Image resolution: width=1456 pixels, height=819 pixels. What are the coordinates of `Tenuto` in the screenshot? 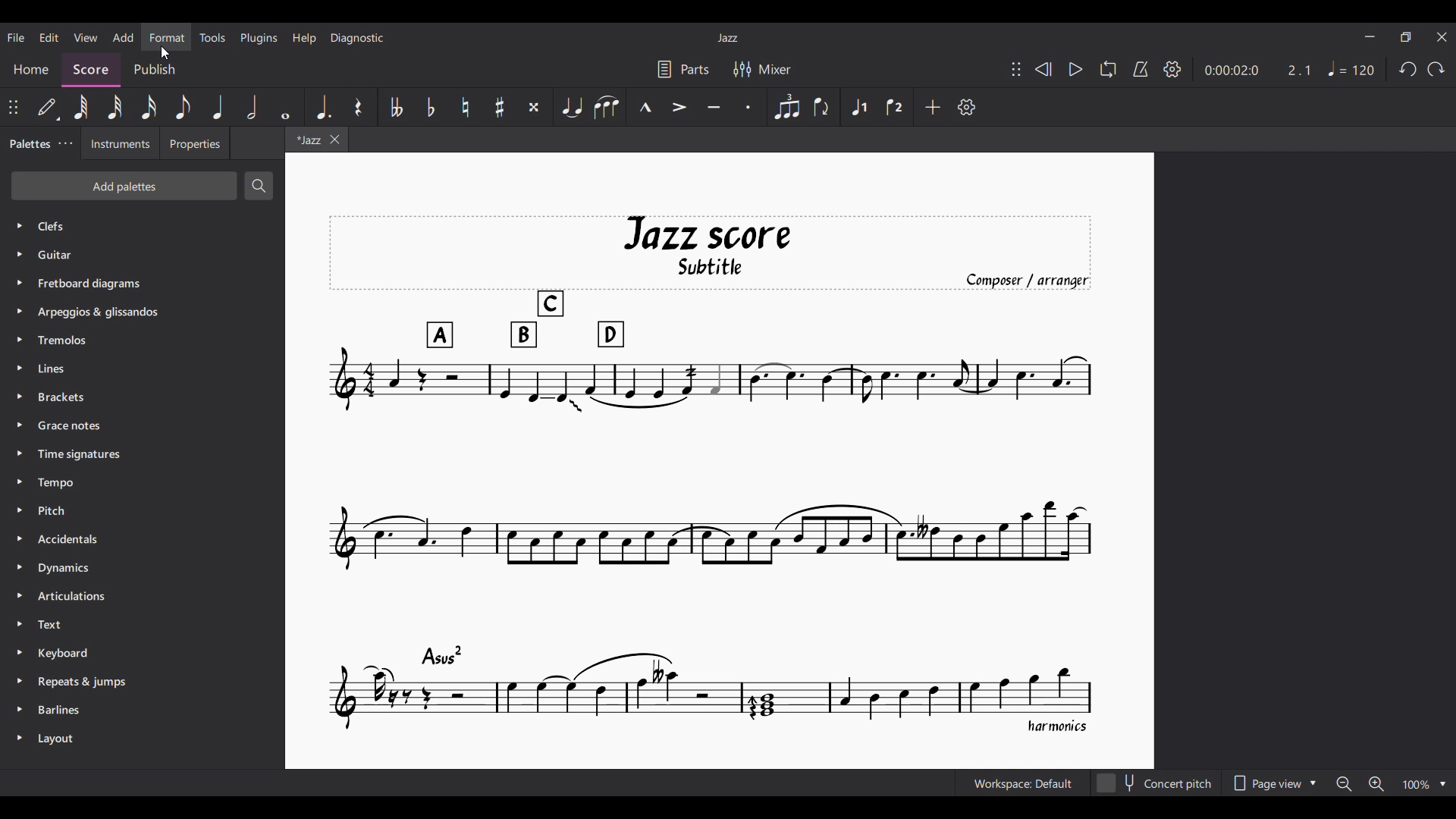 It's located at (714, 106).